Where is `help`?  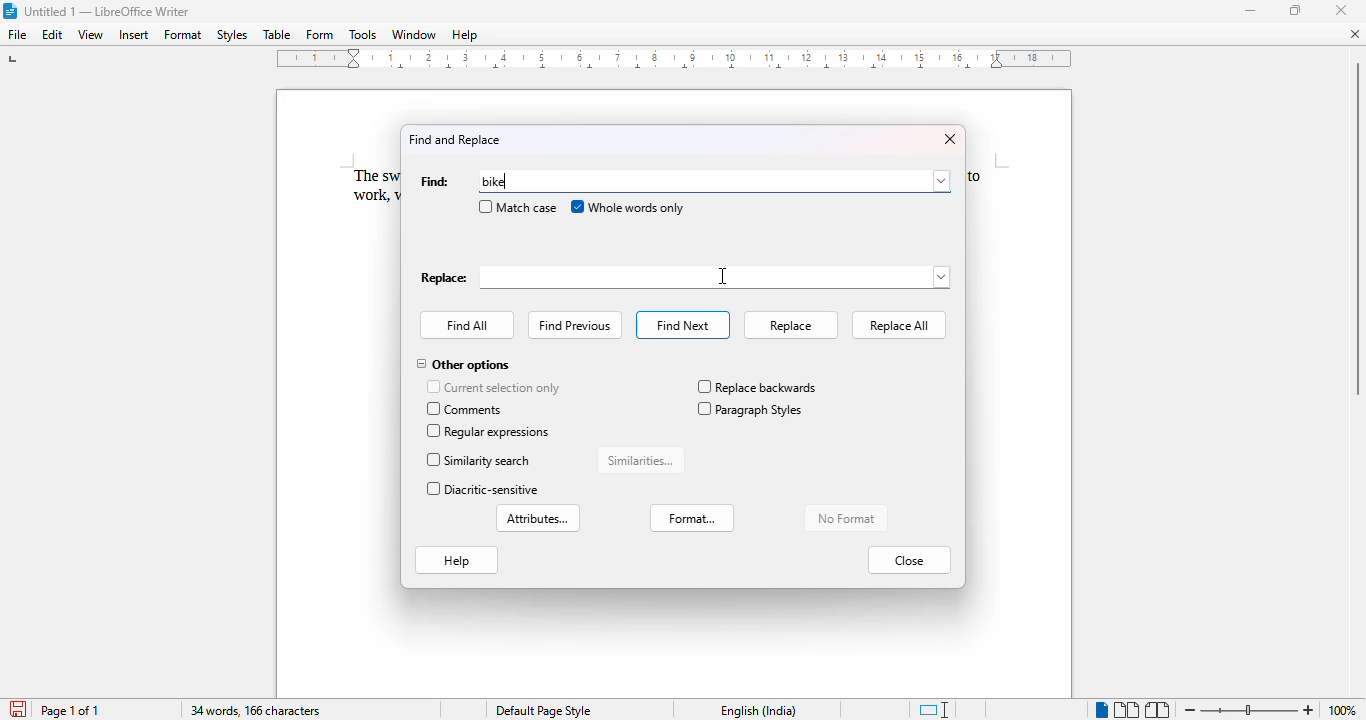 help is located at coordinates (464, 35).